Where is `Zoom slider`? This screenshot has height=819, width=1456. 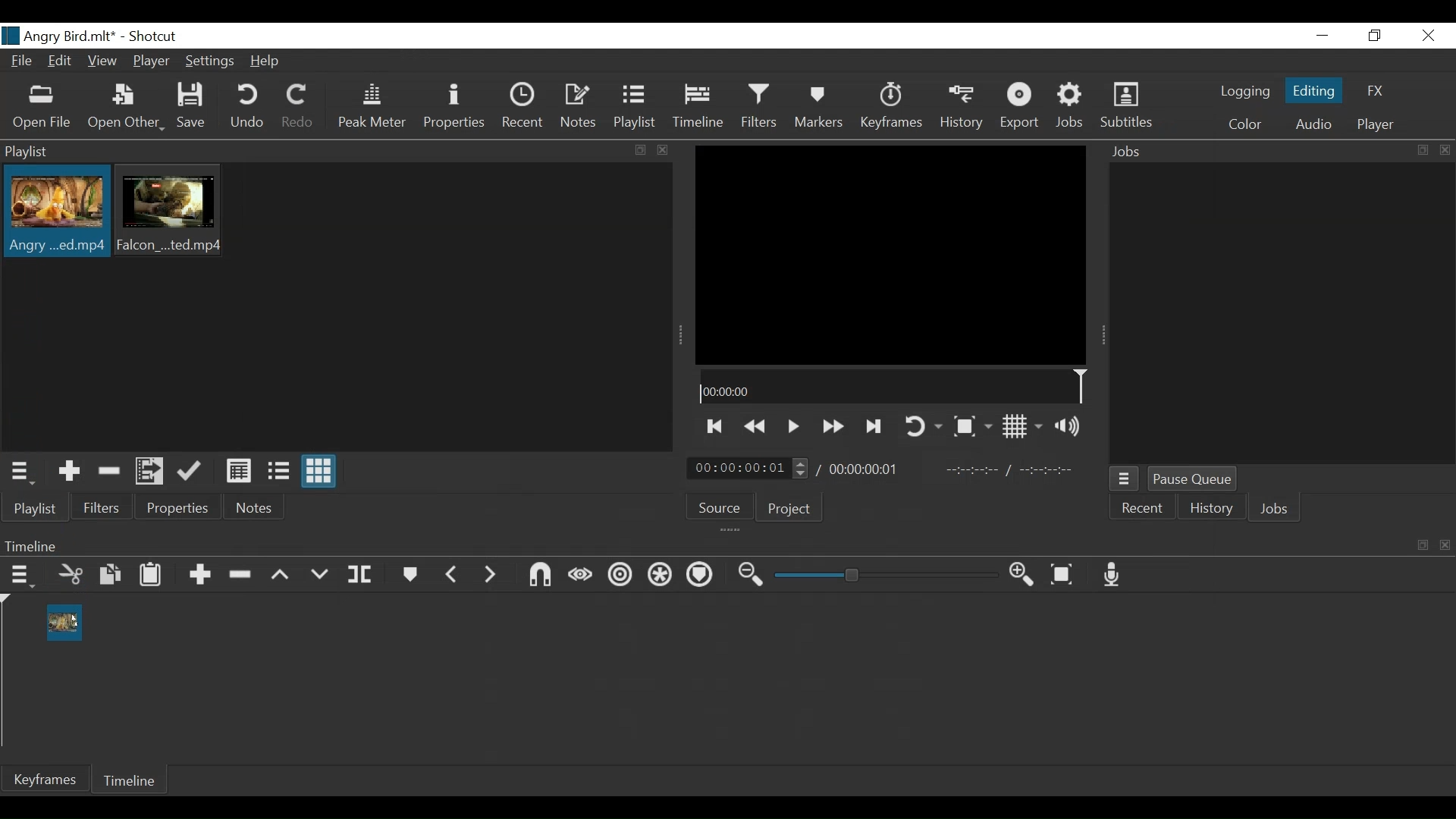
Zoom slider is located at coordinates (886, 575).